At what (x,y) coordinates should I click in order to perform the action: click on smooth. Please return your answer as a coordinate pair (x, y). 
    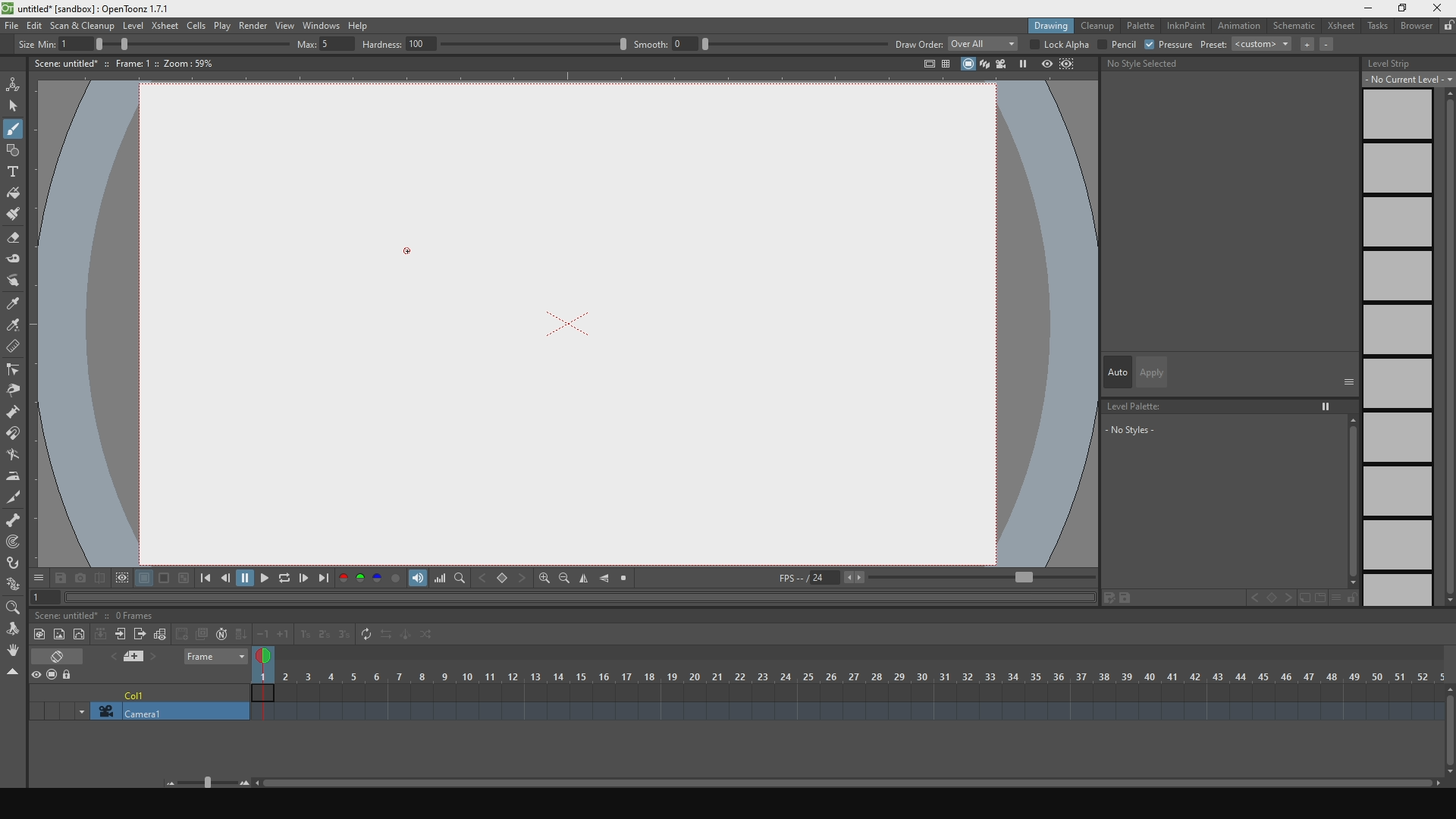
    Looking at the image, I should click on (758, 43).